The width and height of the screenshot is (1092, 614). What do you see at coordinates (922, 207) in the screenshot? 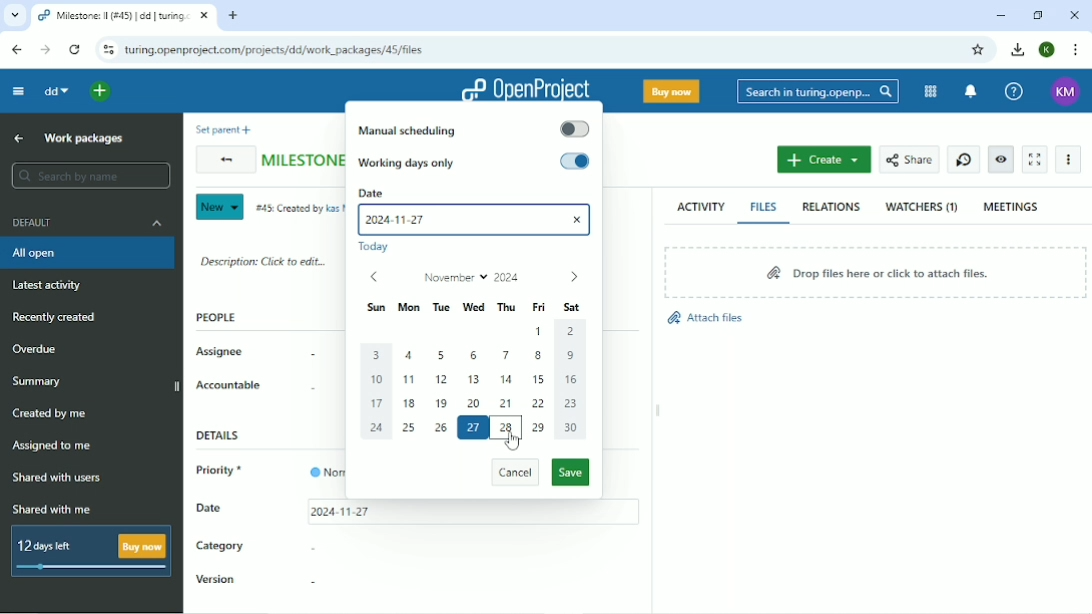
I see `Watchers 1` at bounding box center [922, 207].